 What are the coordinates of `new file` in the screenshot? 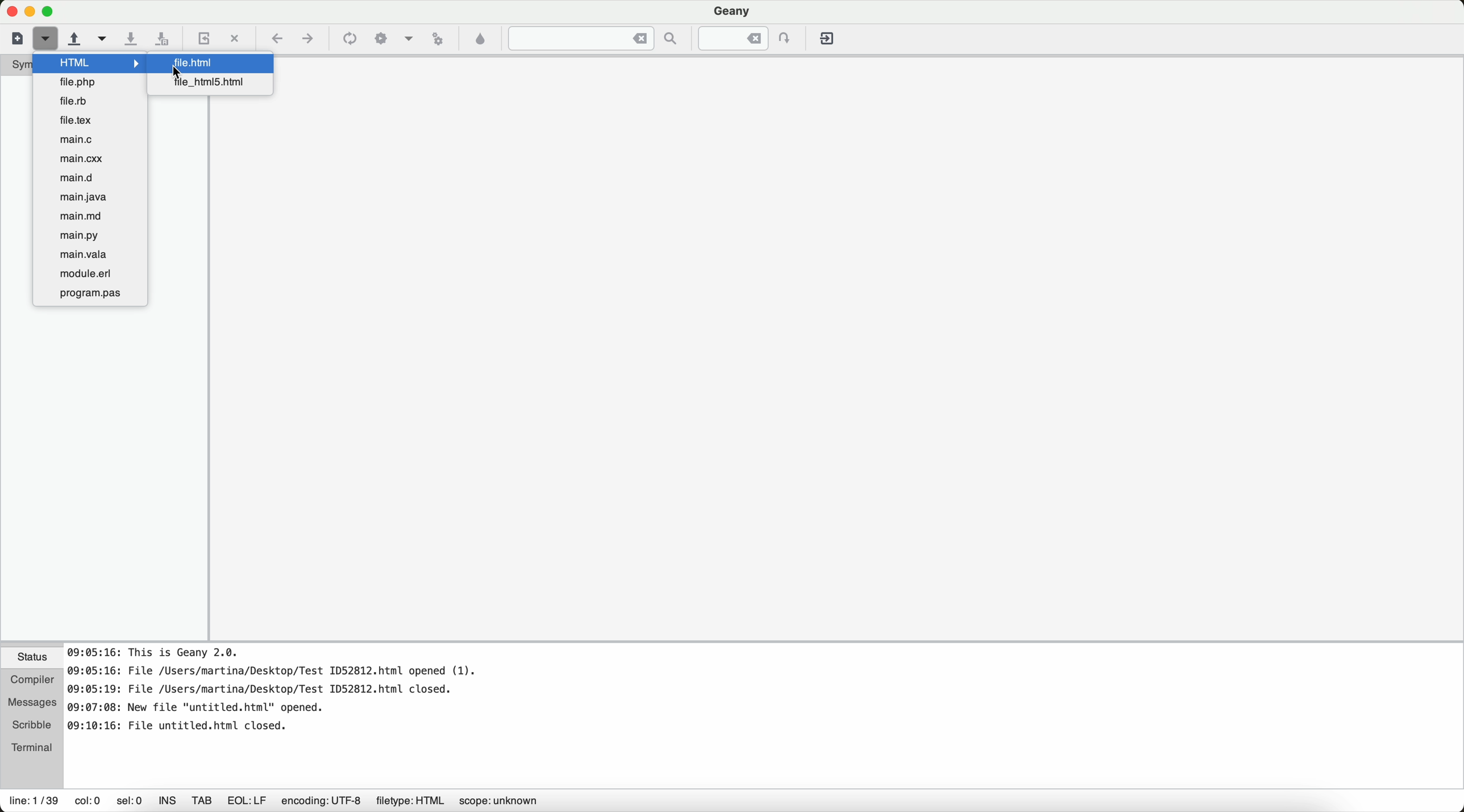 It's located at (15, 38).